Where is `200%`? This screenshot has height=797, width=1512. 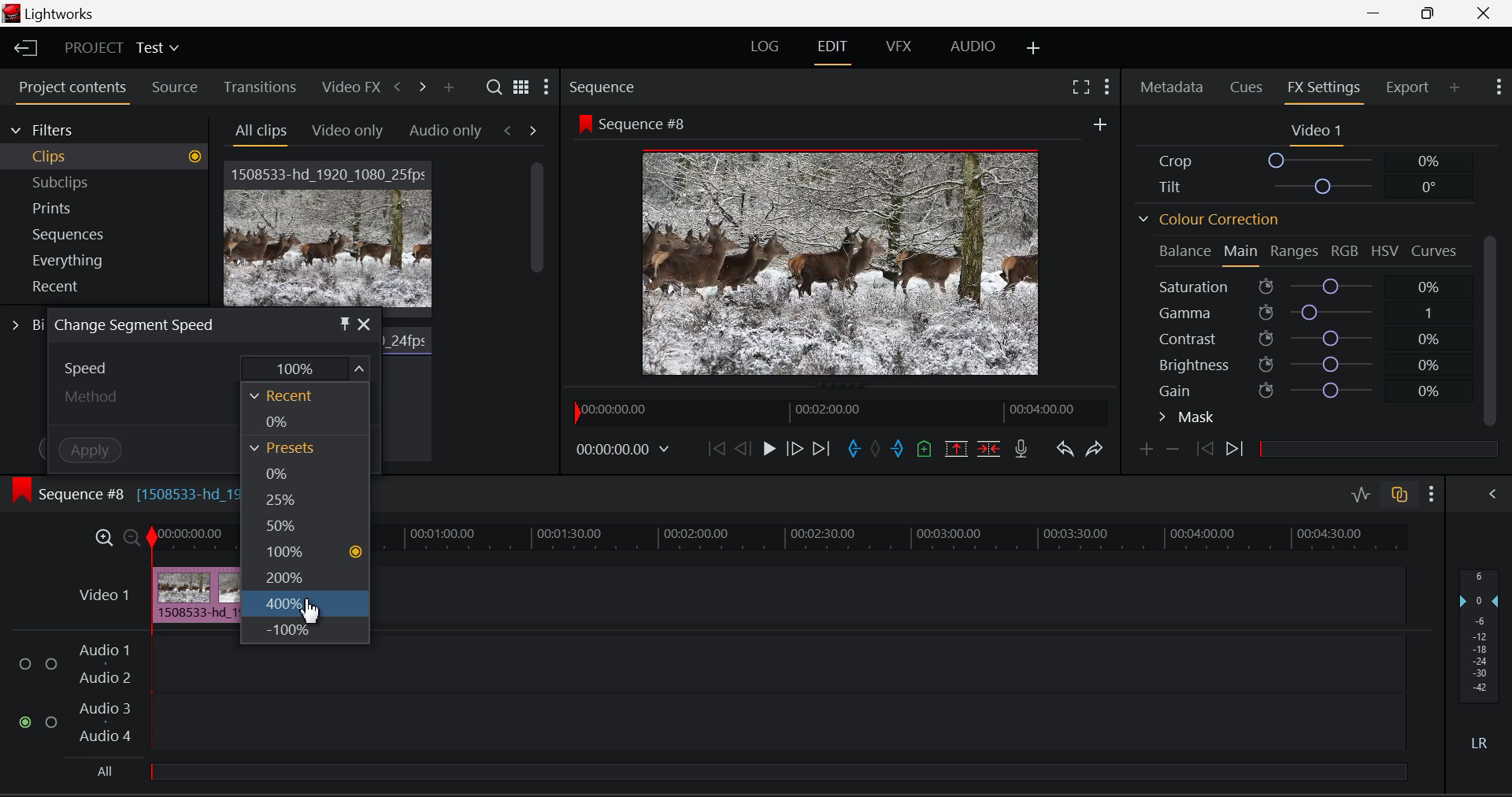
200% is located at coordinates (306, 580).